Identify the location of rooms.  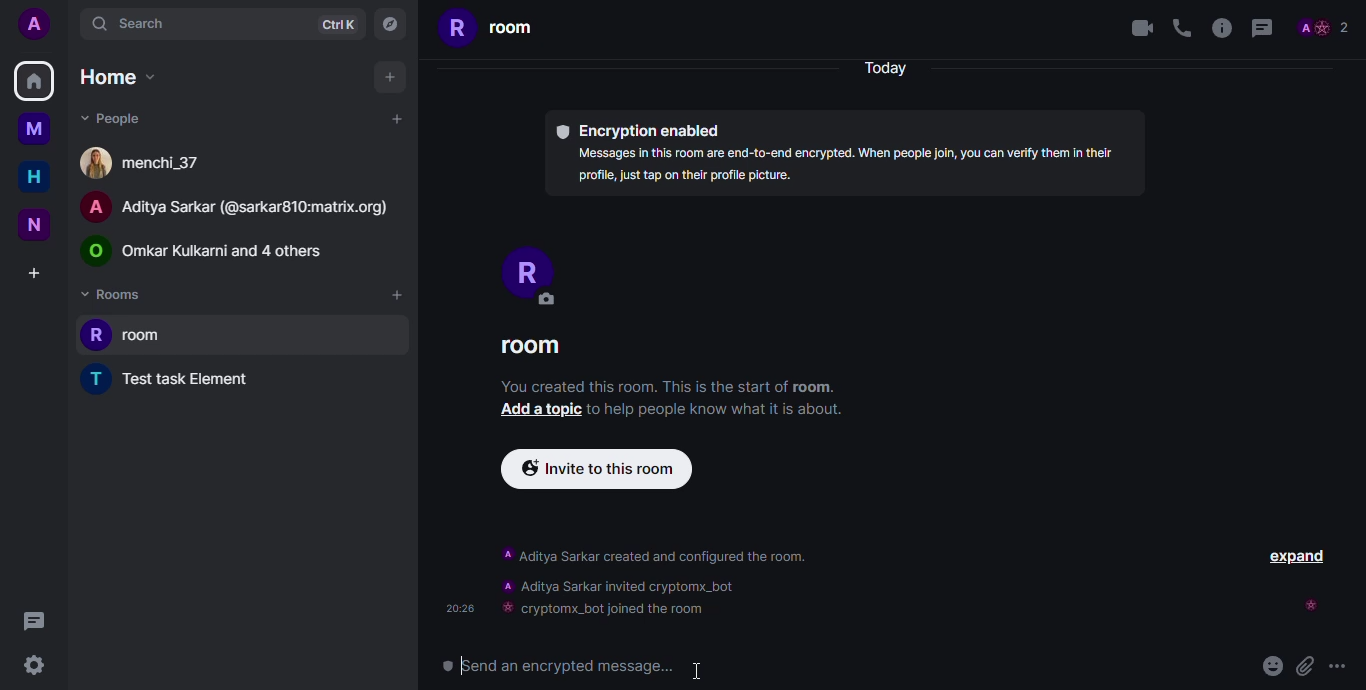
(115, 294).